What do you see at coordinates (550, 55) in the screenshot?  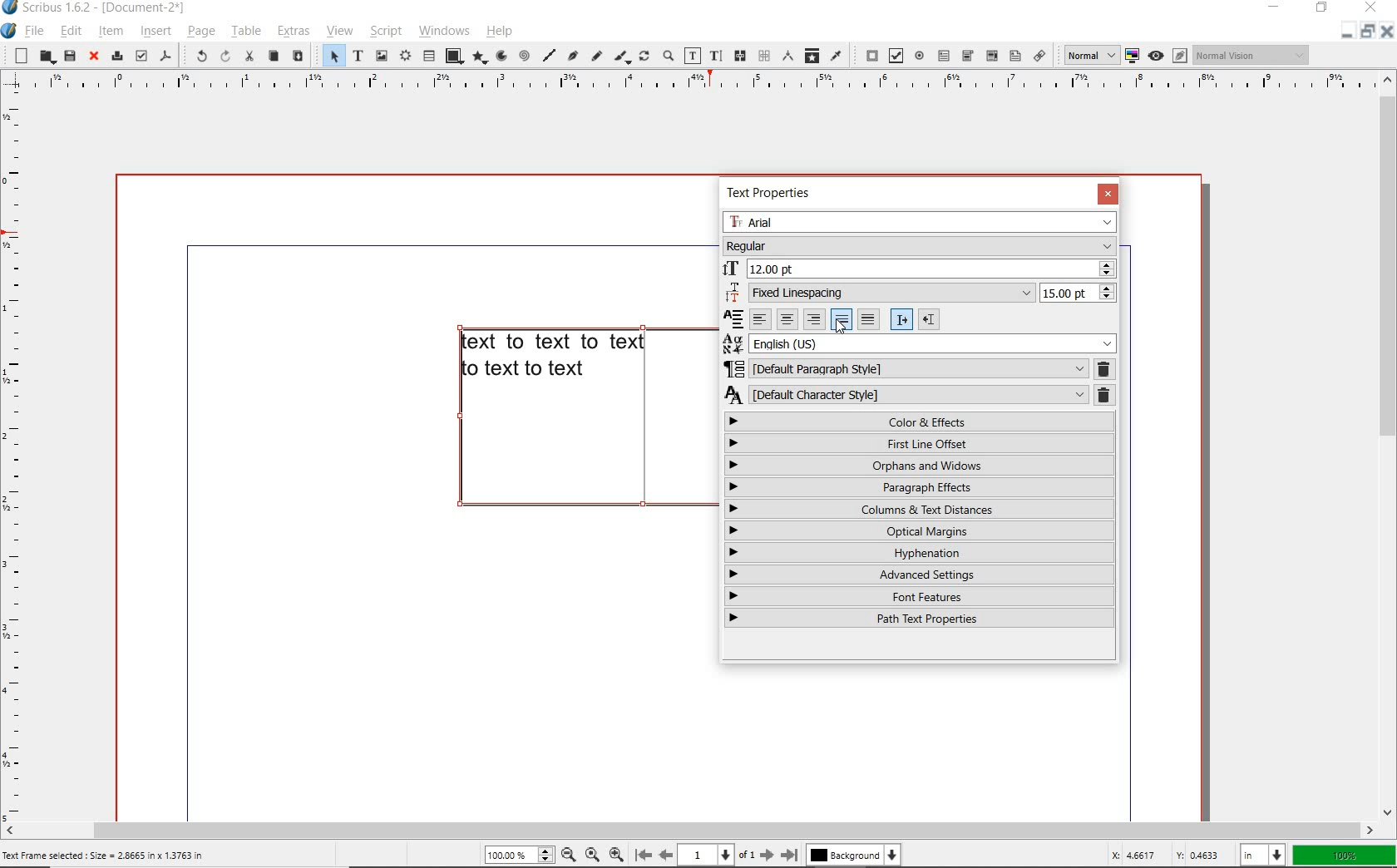 I see `line` at bounding box center [550, 55].